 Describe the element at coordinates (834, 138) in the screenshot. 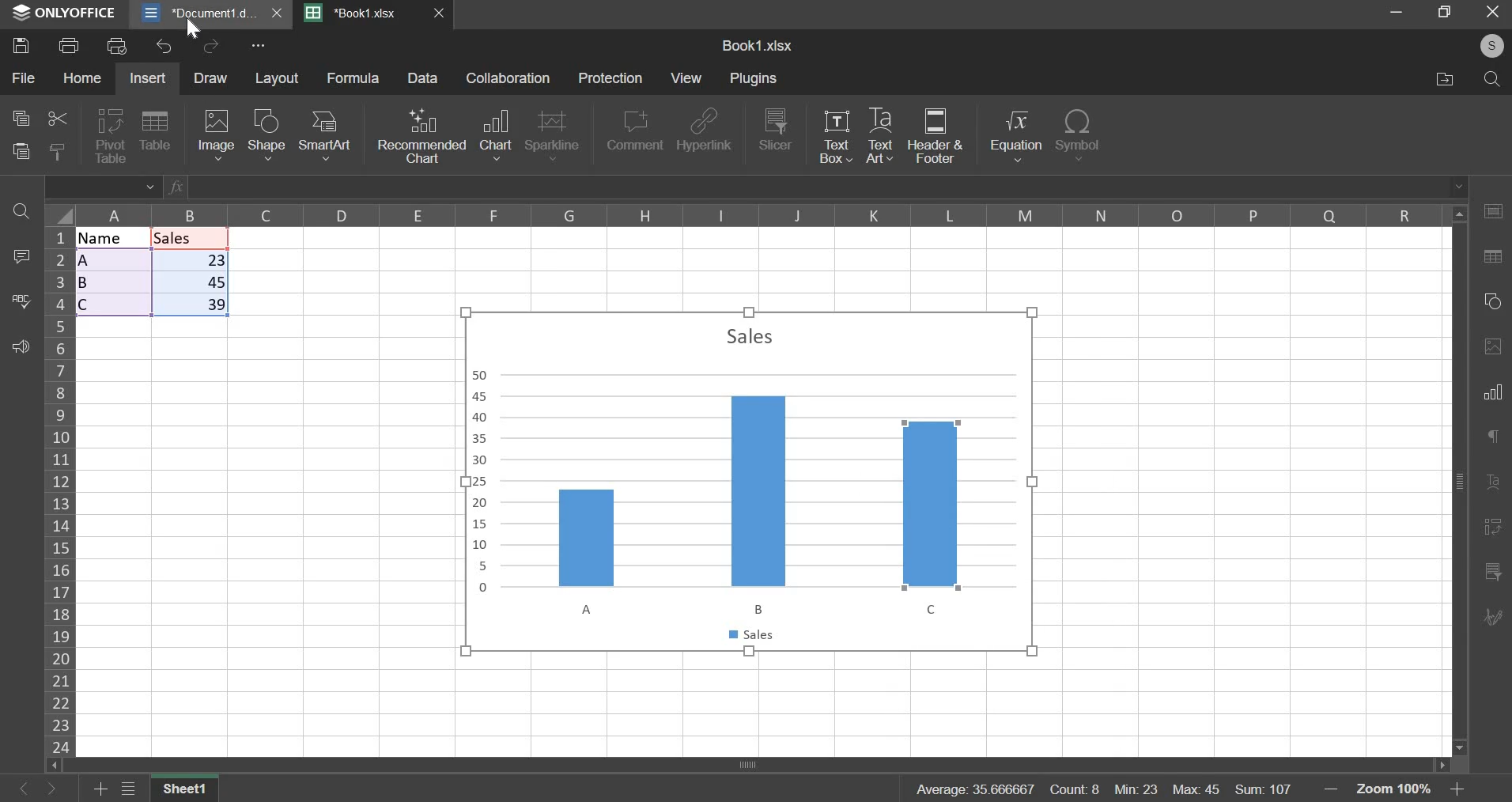

I see `text box` at that location.